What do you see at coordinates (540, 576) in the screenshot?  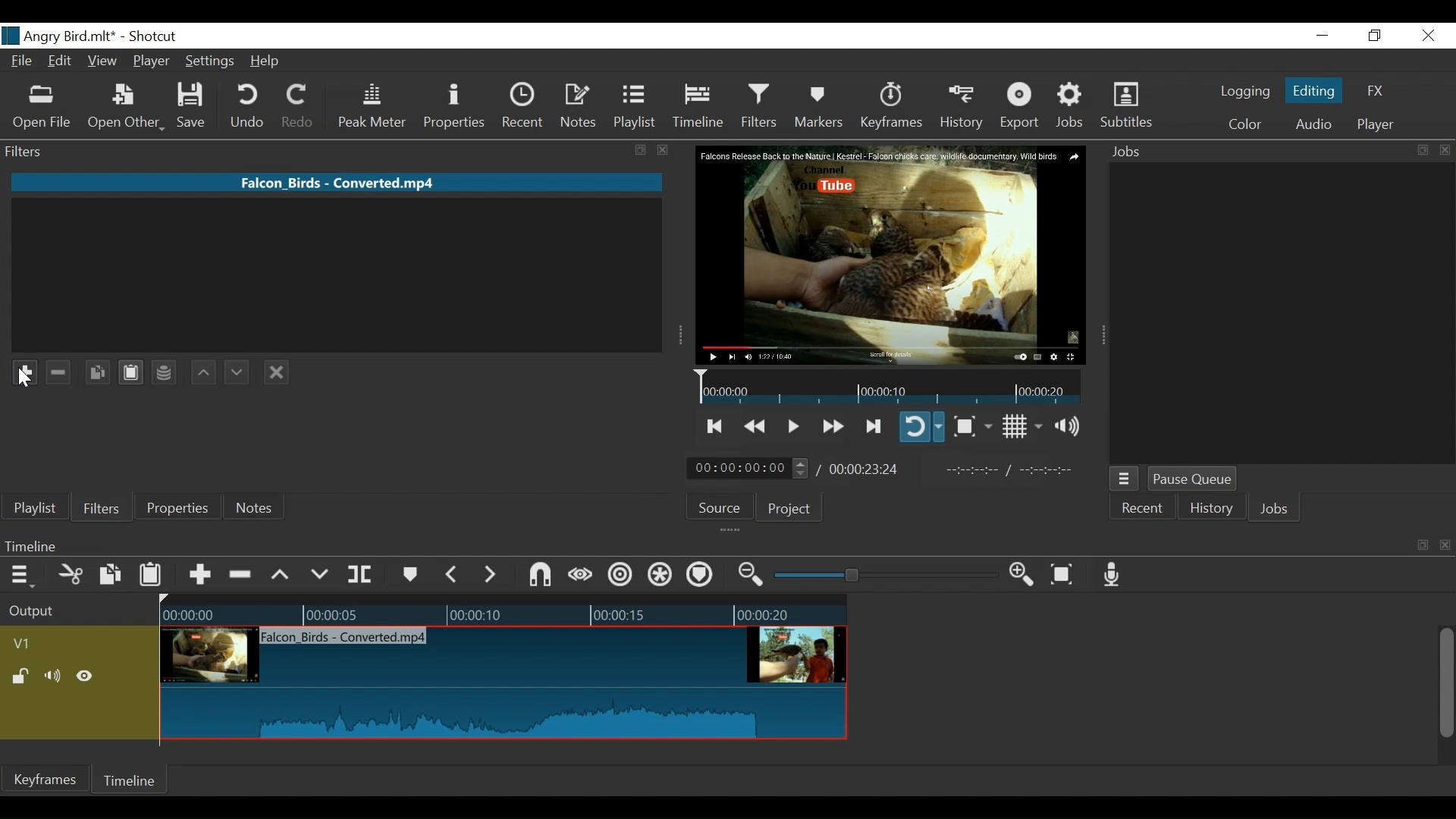 I see `Snap ` at bounding box center [540, 576].